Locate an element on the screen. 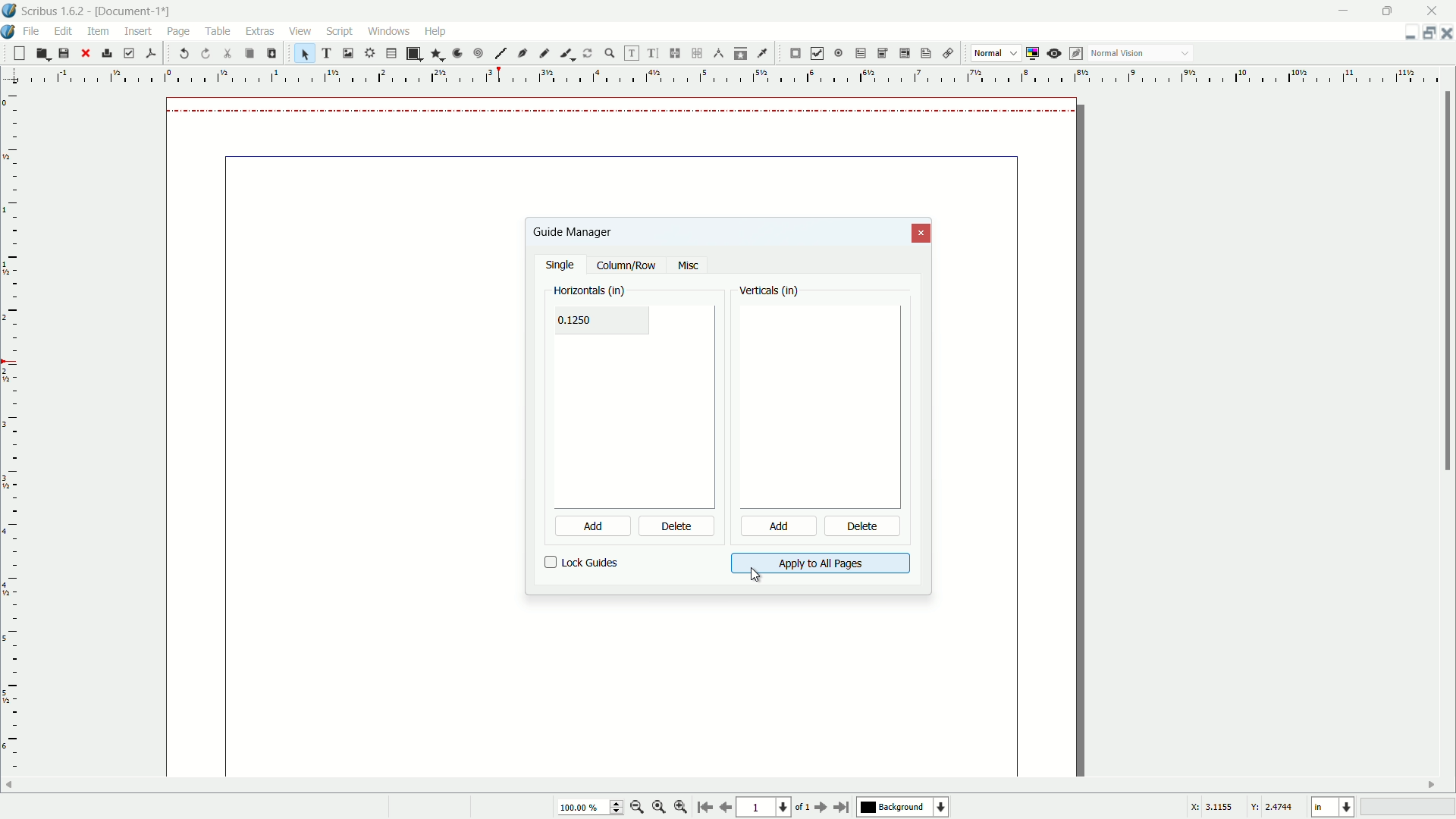  spiral is located at coordinates (479, 54).